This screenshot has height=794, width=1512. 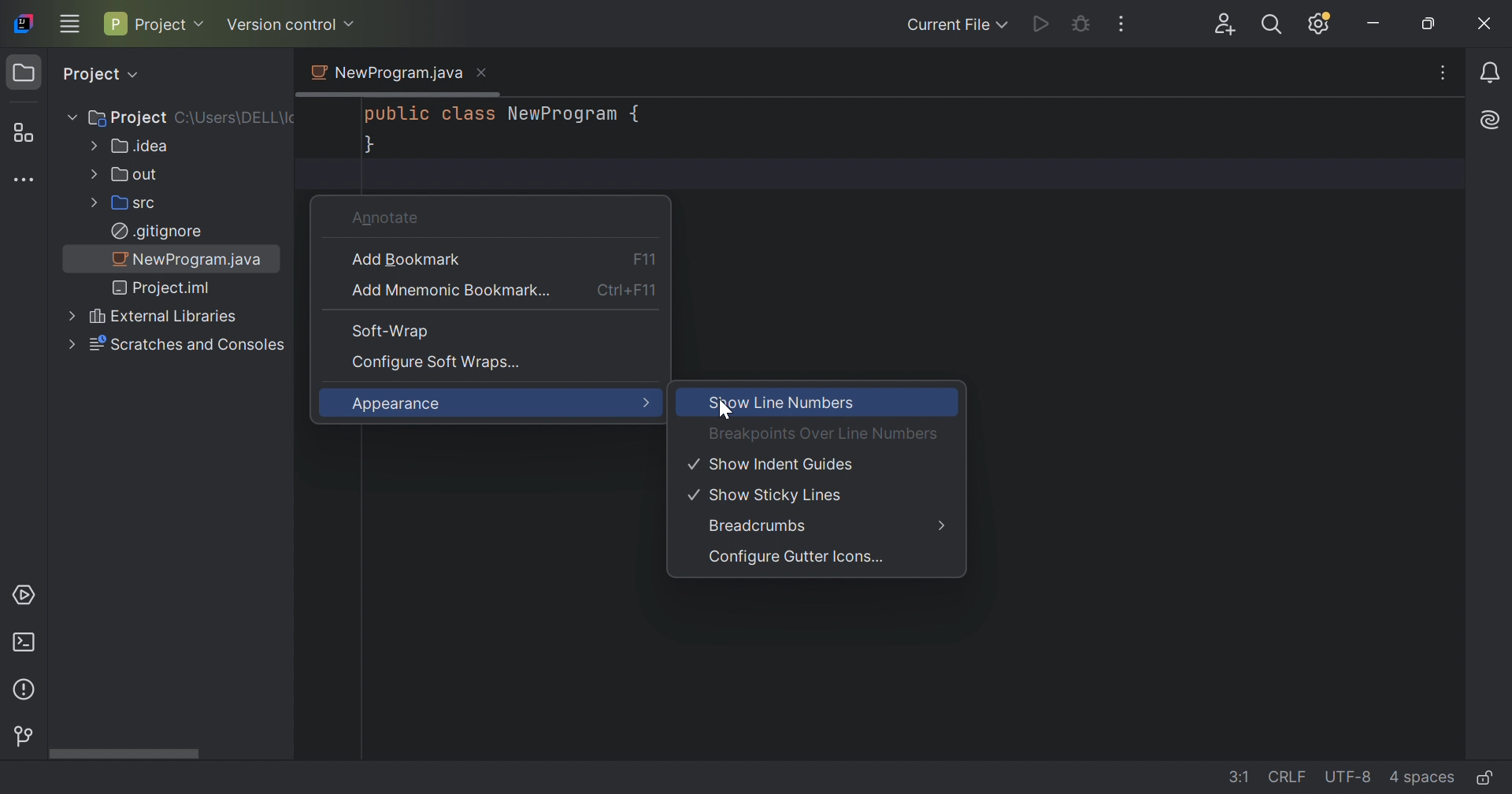 I want to click on Notifications, so click(x=1490, y=74).